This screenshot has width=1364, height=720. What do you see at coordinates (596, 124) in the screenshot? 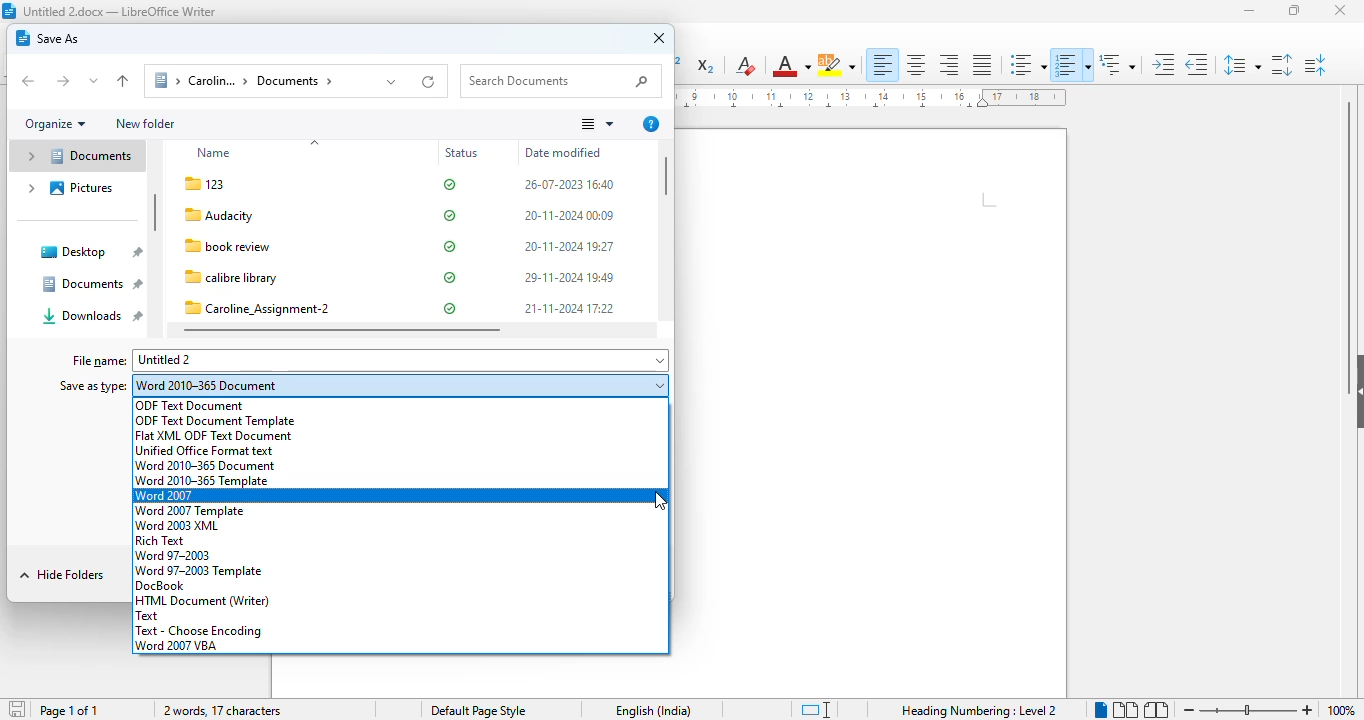
I see `change your view` at bounding box center [596, 124].